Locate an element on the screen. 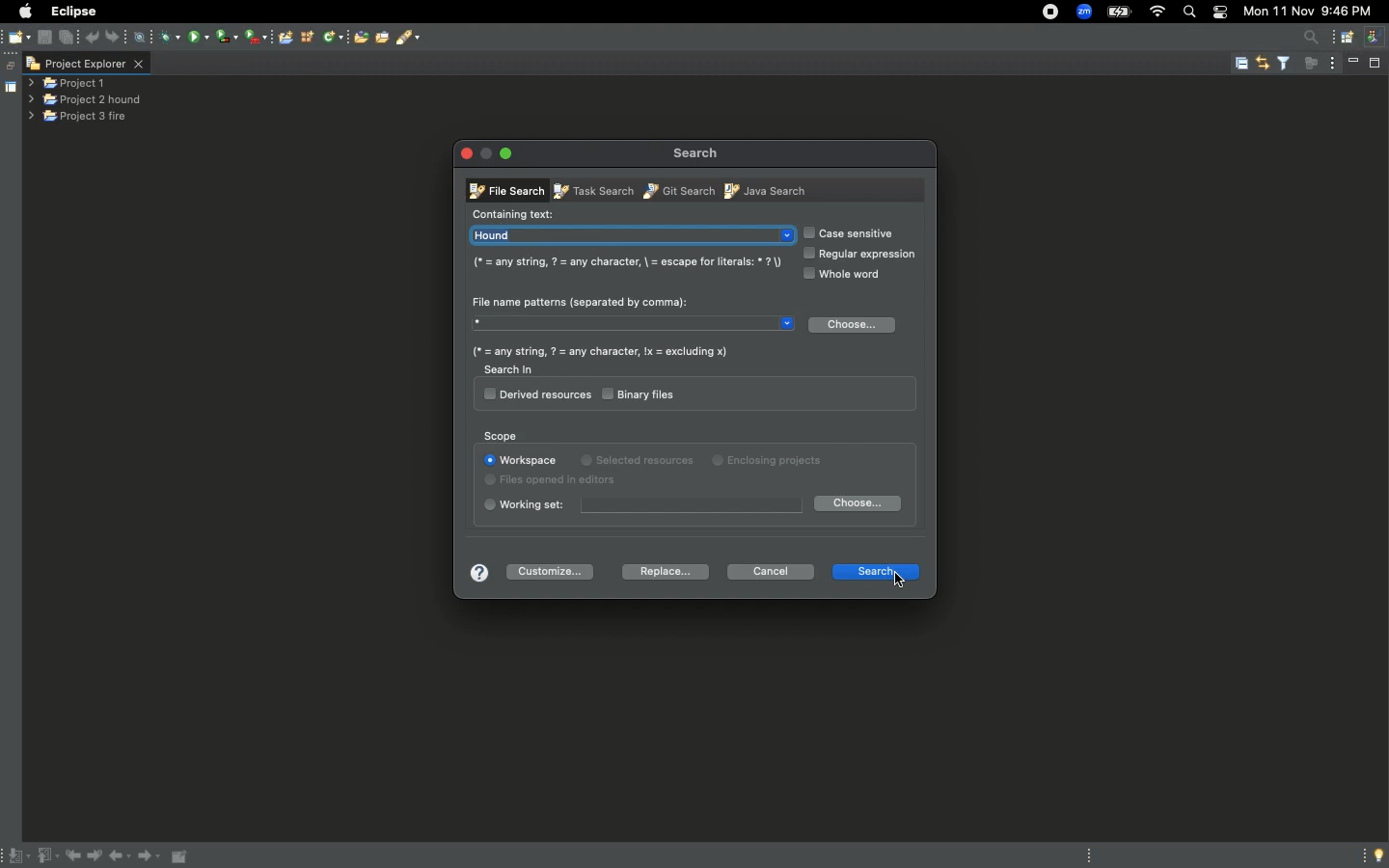  Choose is located at coordinates (857, 502).